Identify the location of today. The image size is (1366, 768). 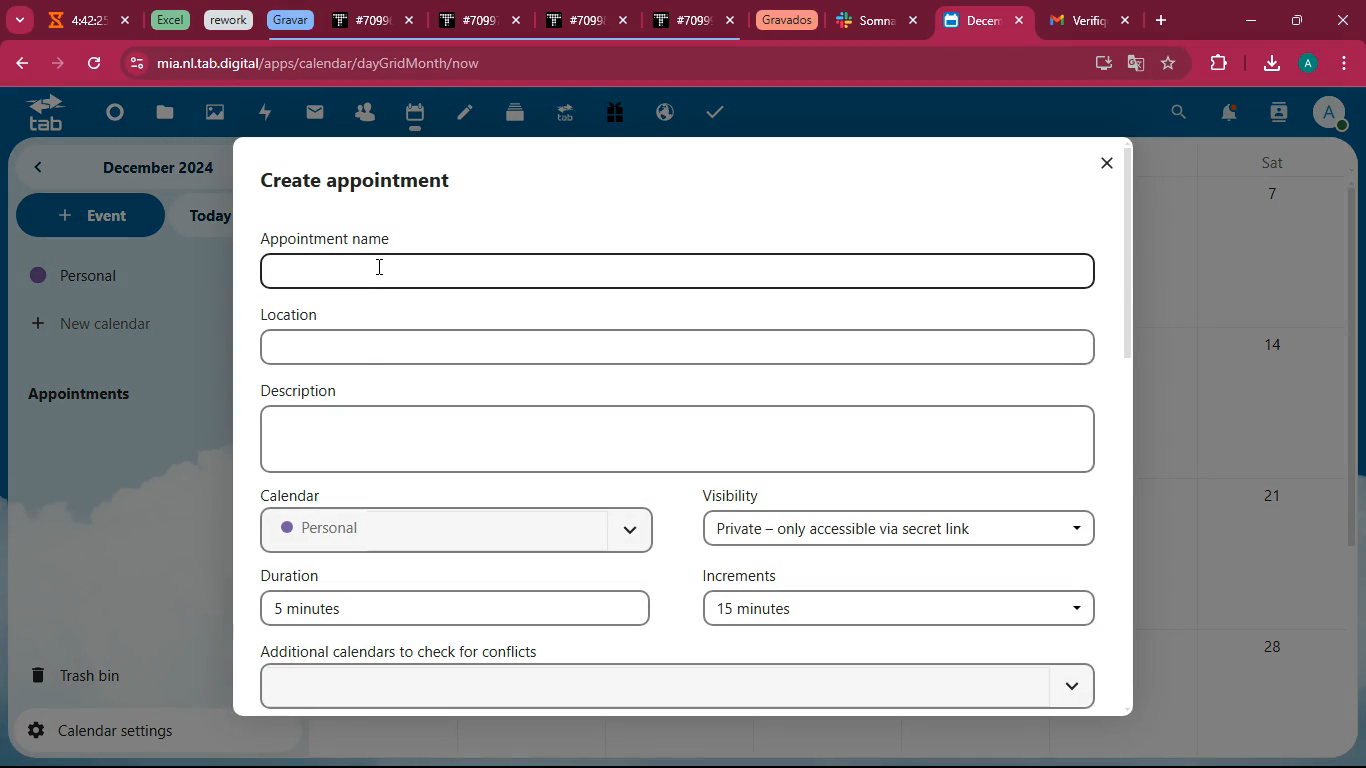
(207, 216).